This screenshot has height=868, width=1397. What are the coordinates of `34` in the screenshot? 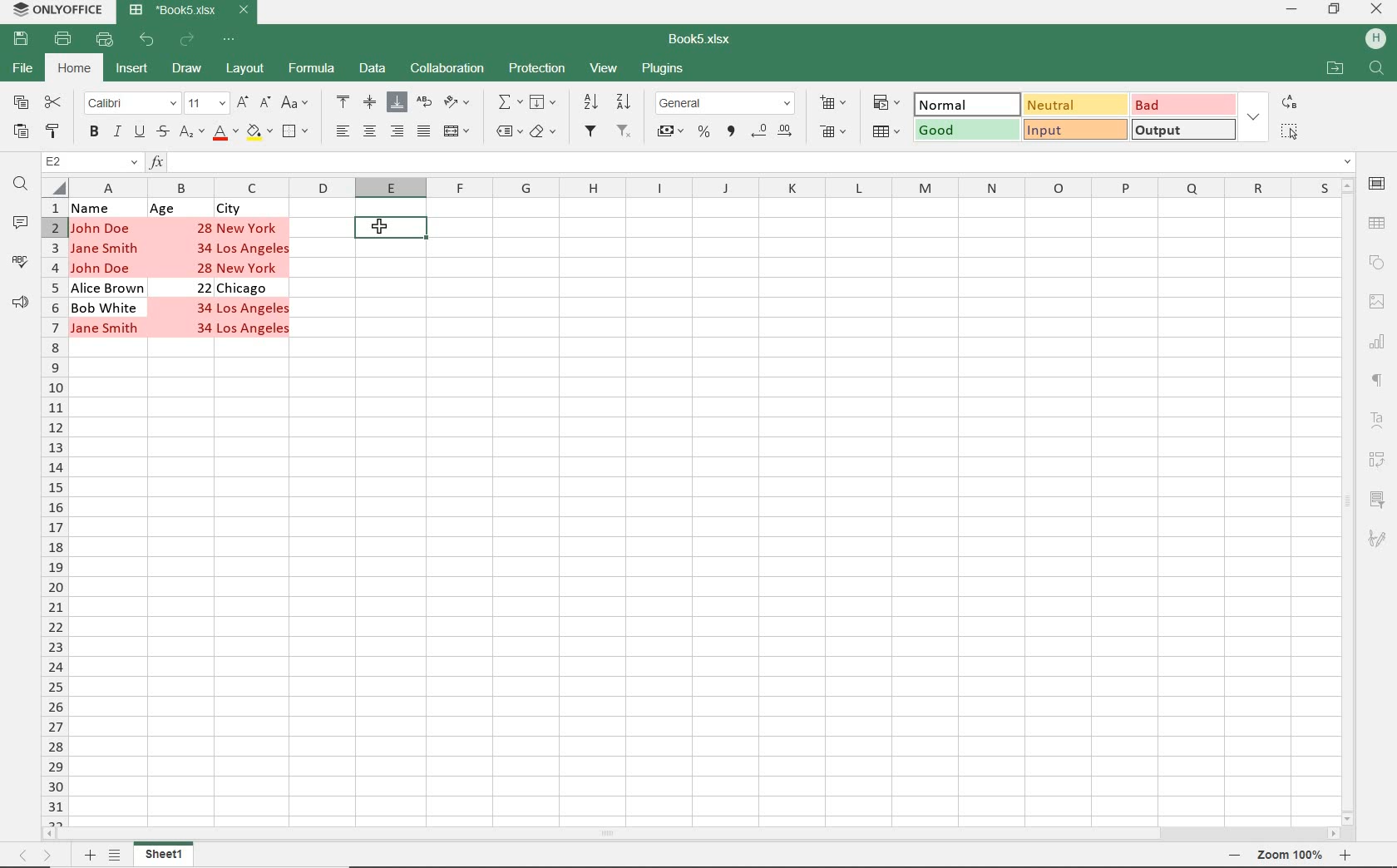 It's located at (201, 309).